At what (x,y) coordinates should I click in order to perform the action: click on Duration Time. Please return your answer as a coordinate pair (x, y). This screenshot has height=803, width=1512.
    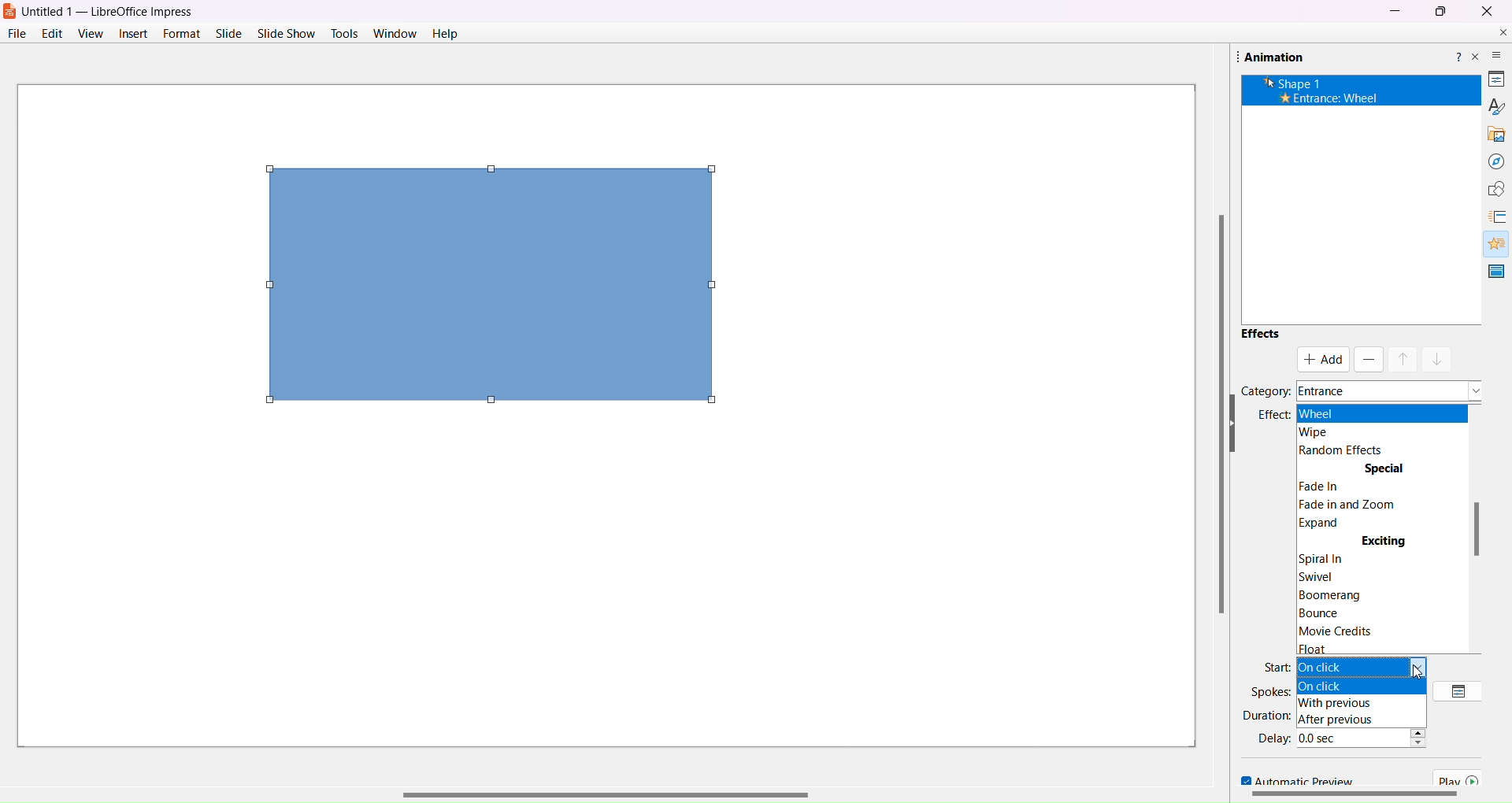
    Looking at the image, I should click on (1354, 713).